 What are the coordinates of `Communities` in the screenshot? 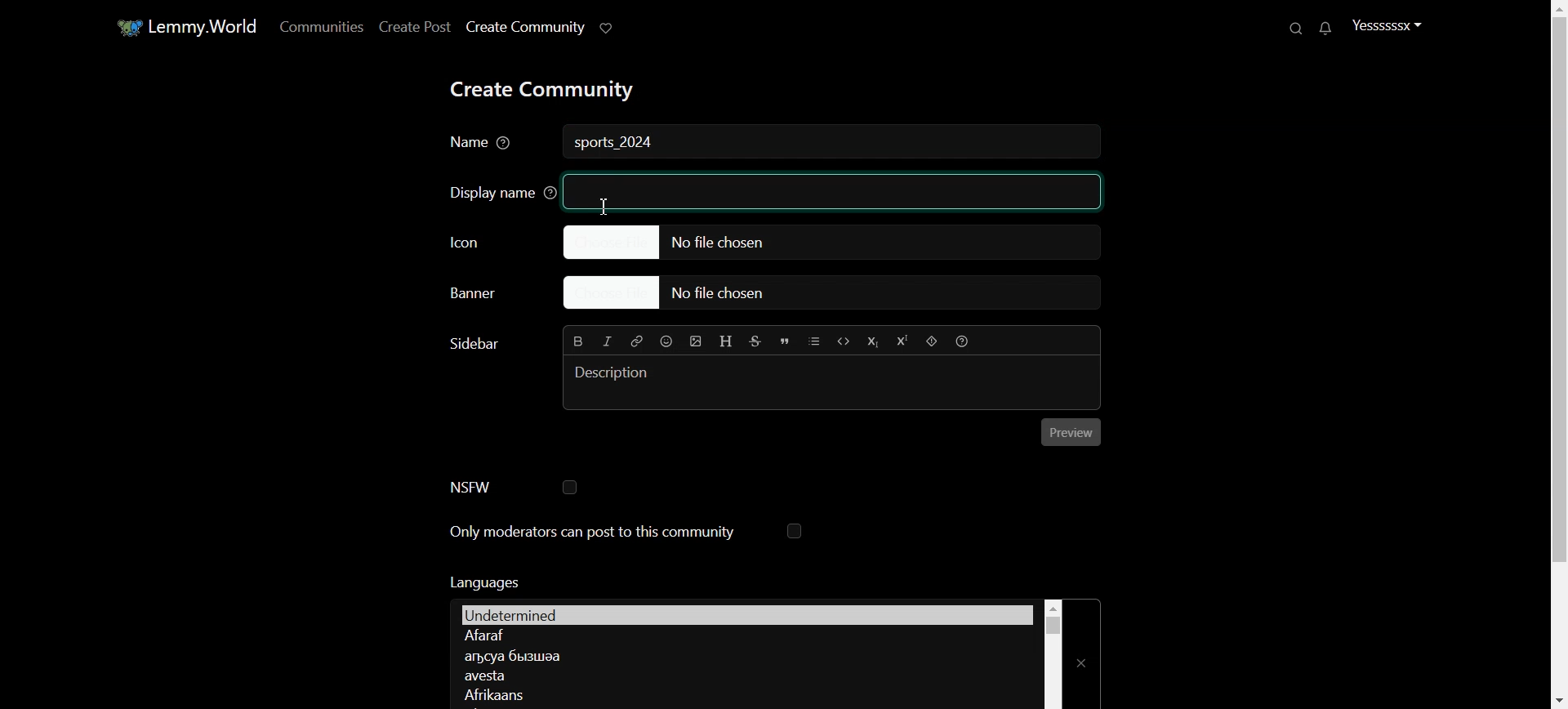 It's located at (318, 26).